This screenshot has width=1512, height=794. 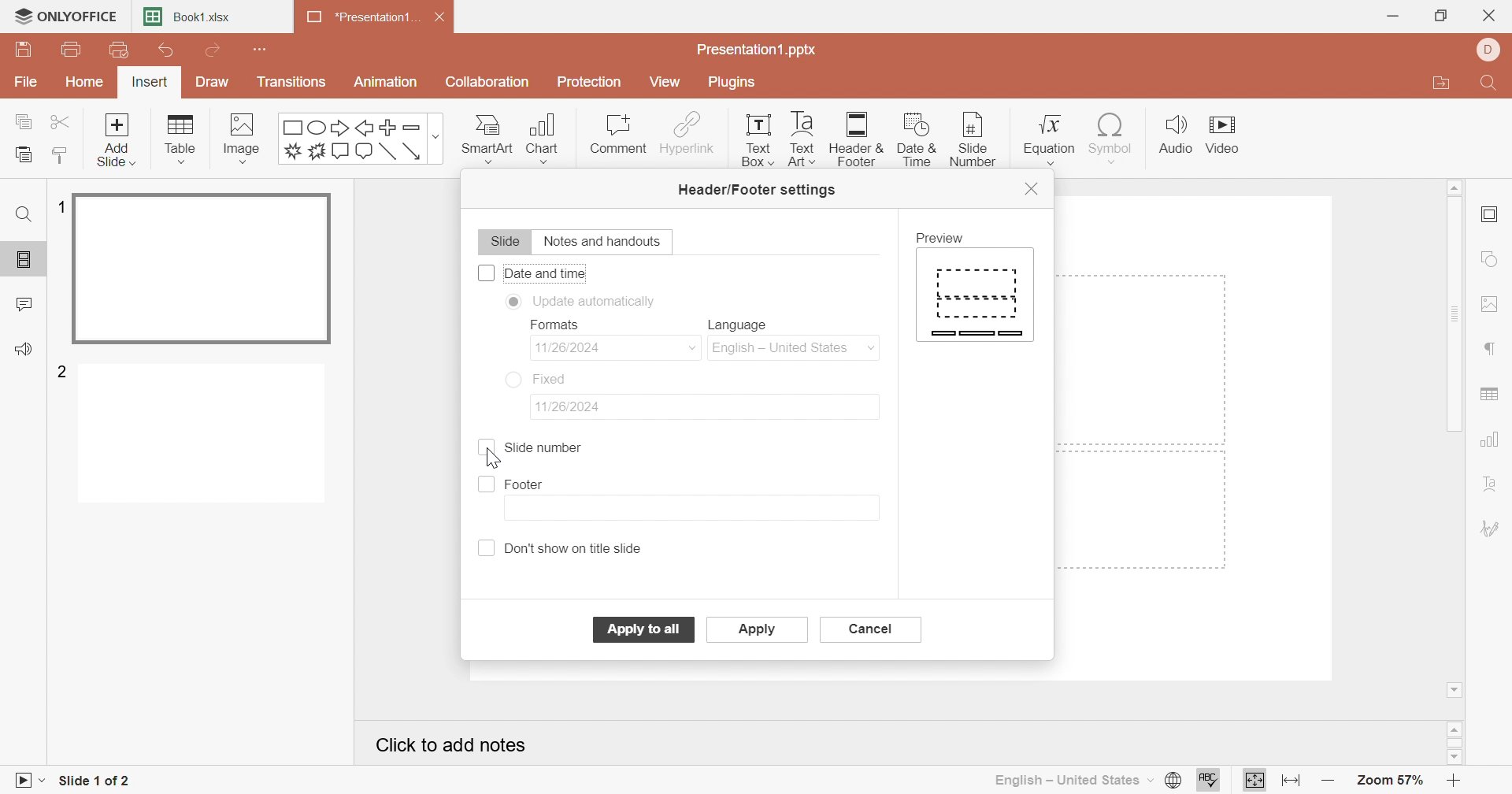 I want to click on Shapes, so click(x=362, y=139).